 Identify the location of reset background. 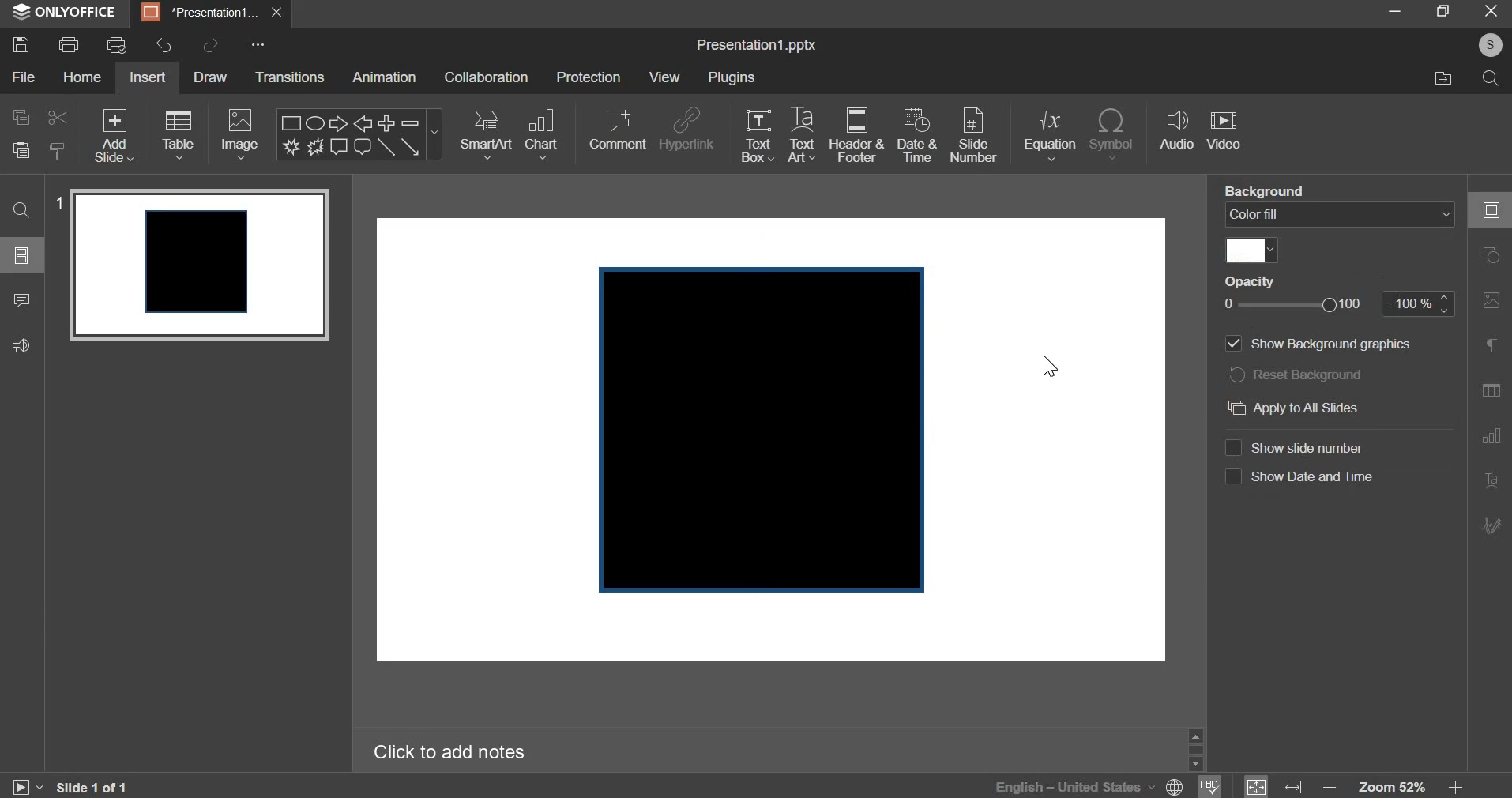
(1296, 375).